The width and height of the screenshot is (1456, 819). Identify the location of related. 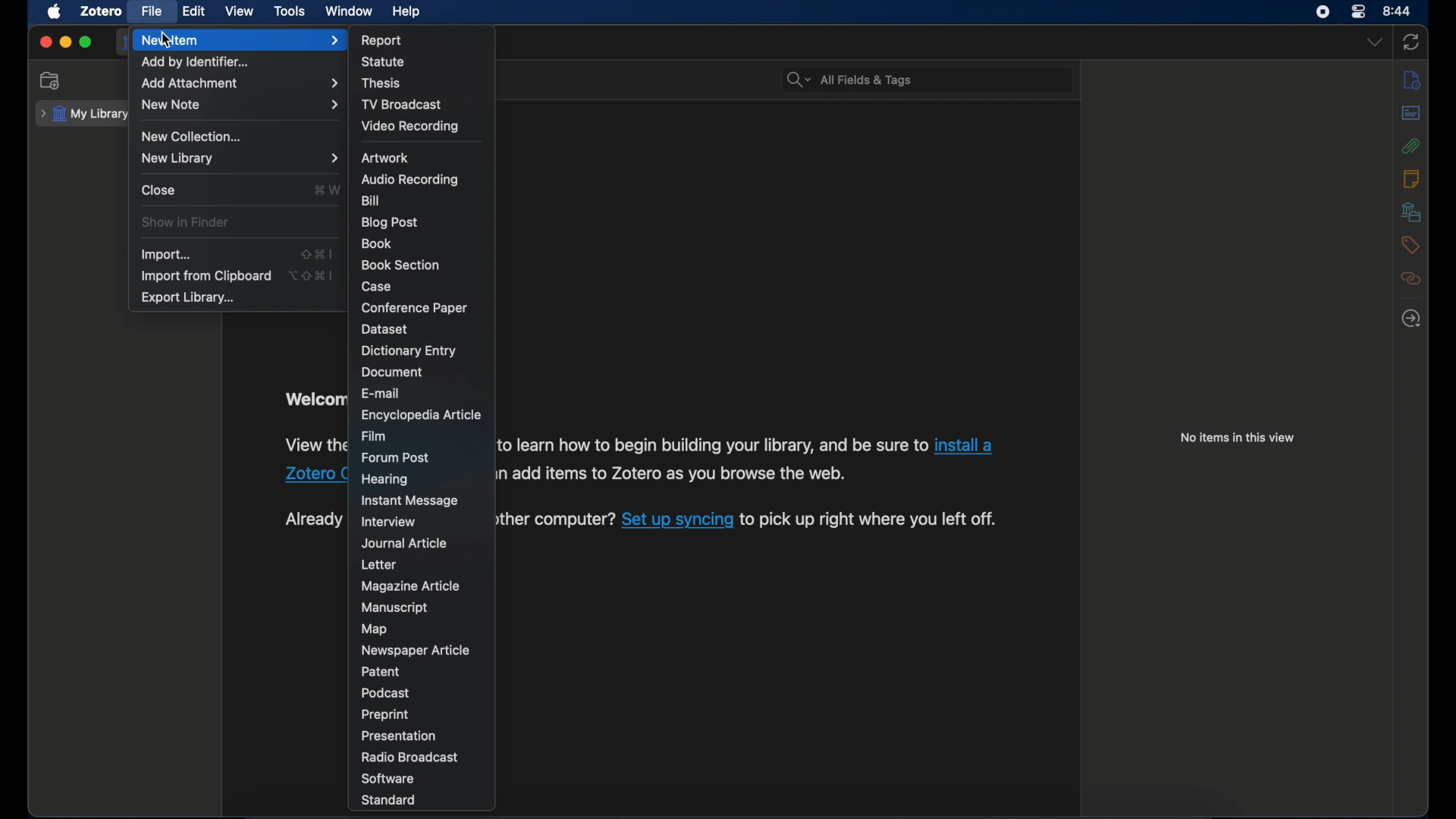
(1411, 279).